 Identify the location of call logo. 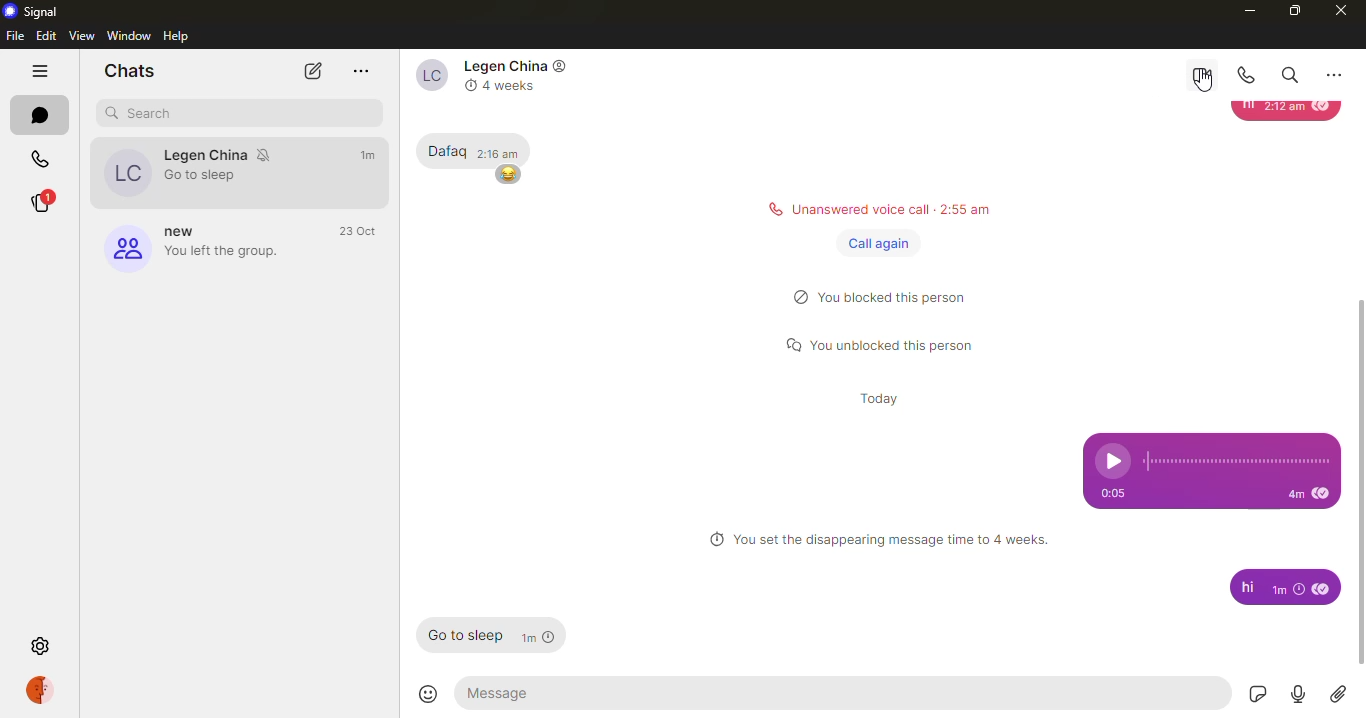
(771, 208).